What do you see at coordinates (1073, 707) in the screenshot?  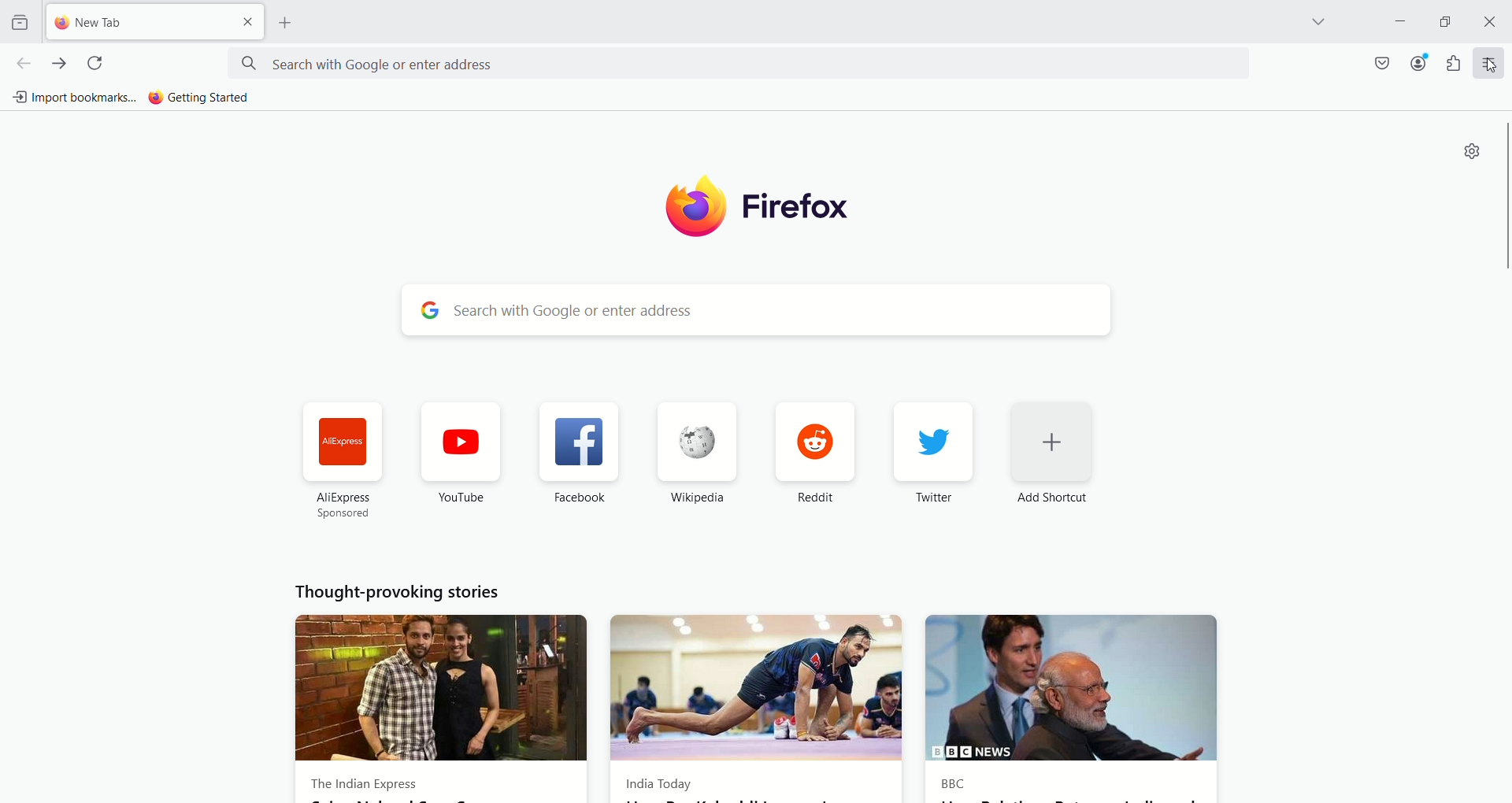 I see `BBC News` at bounding box center [1073, 707].